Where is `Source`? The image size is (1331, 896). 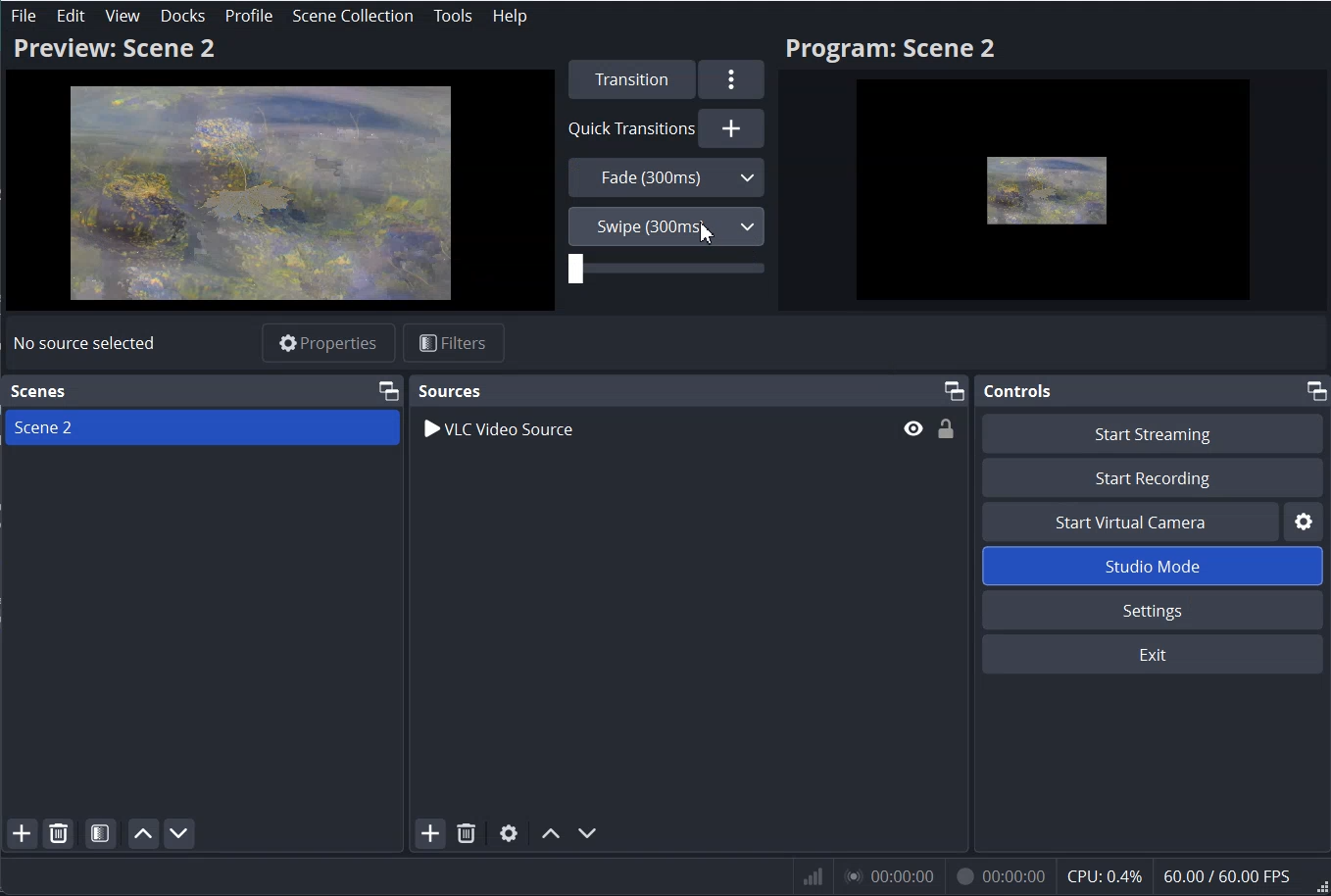 Source is located at coordinates (449, 390).